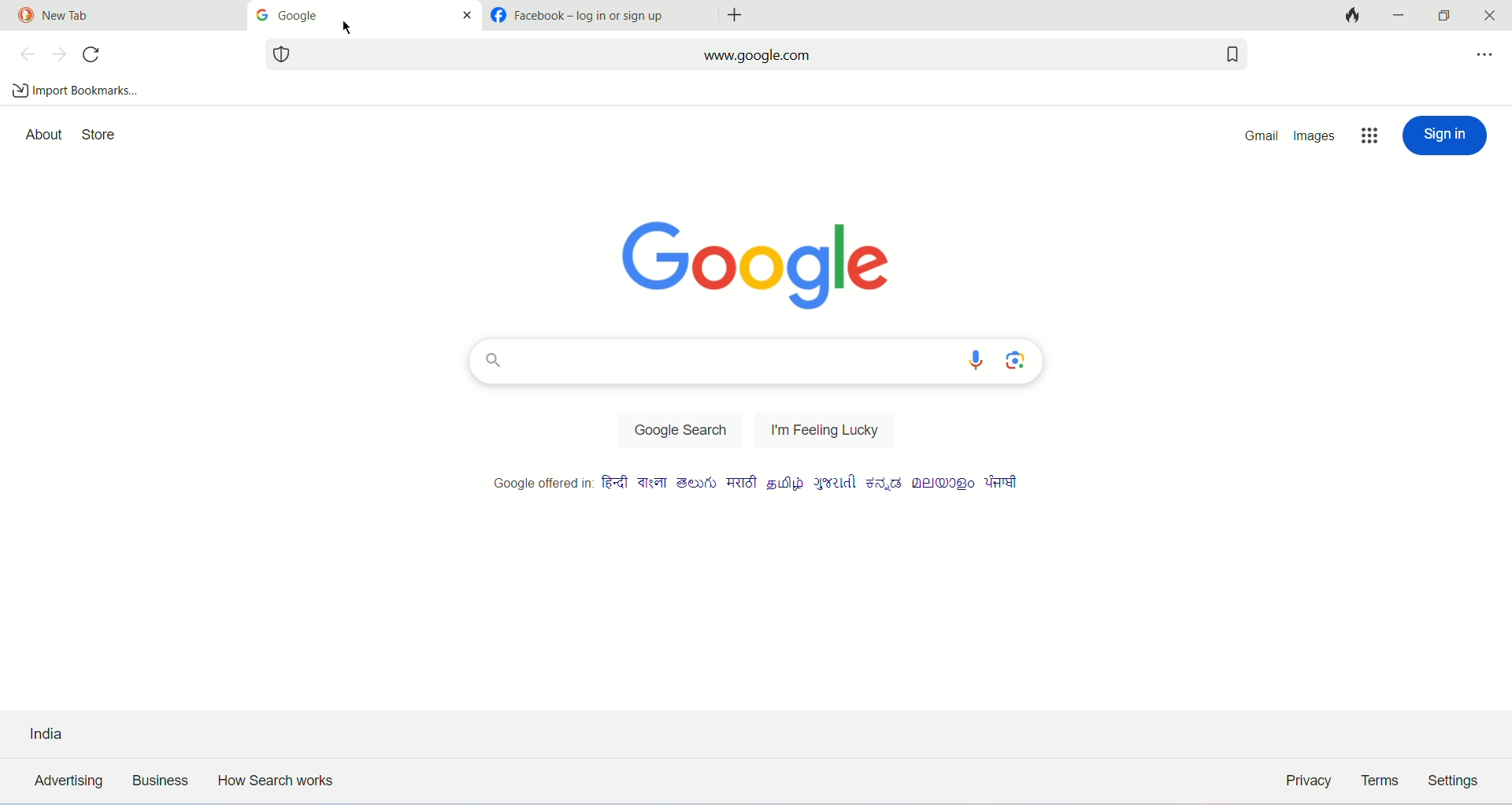 This screenshot has height=805, width=1512. What do you see at coordinates (1372, 137) in the screenshot?
I see `more options` at bounding box center [1372, 137].